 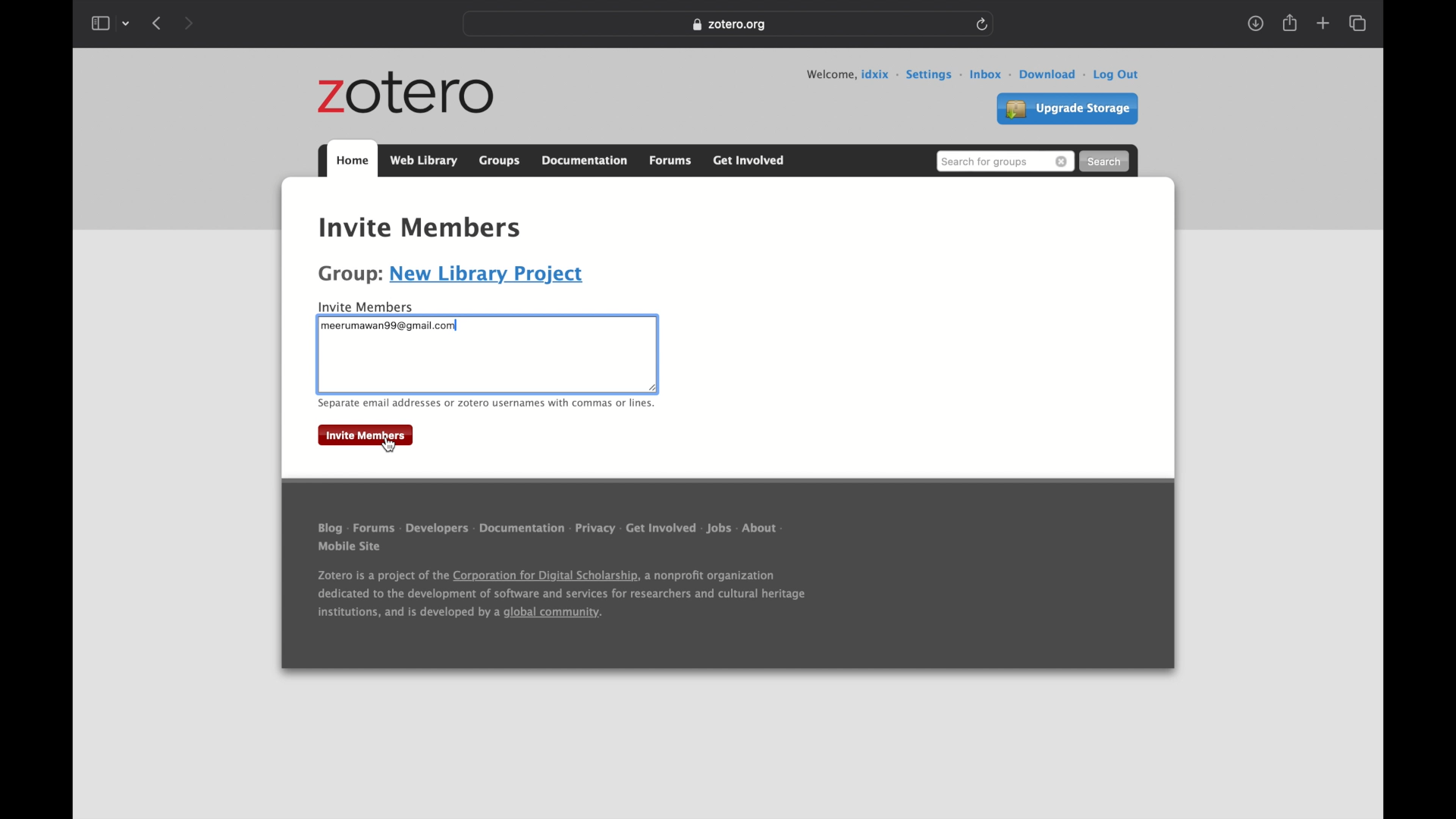 What do you see at coordinates (595, 528) in the screenshot?
I see `privacy` at bounding box center [595, 528].